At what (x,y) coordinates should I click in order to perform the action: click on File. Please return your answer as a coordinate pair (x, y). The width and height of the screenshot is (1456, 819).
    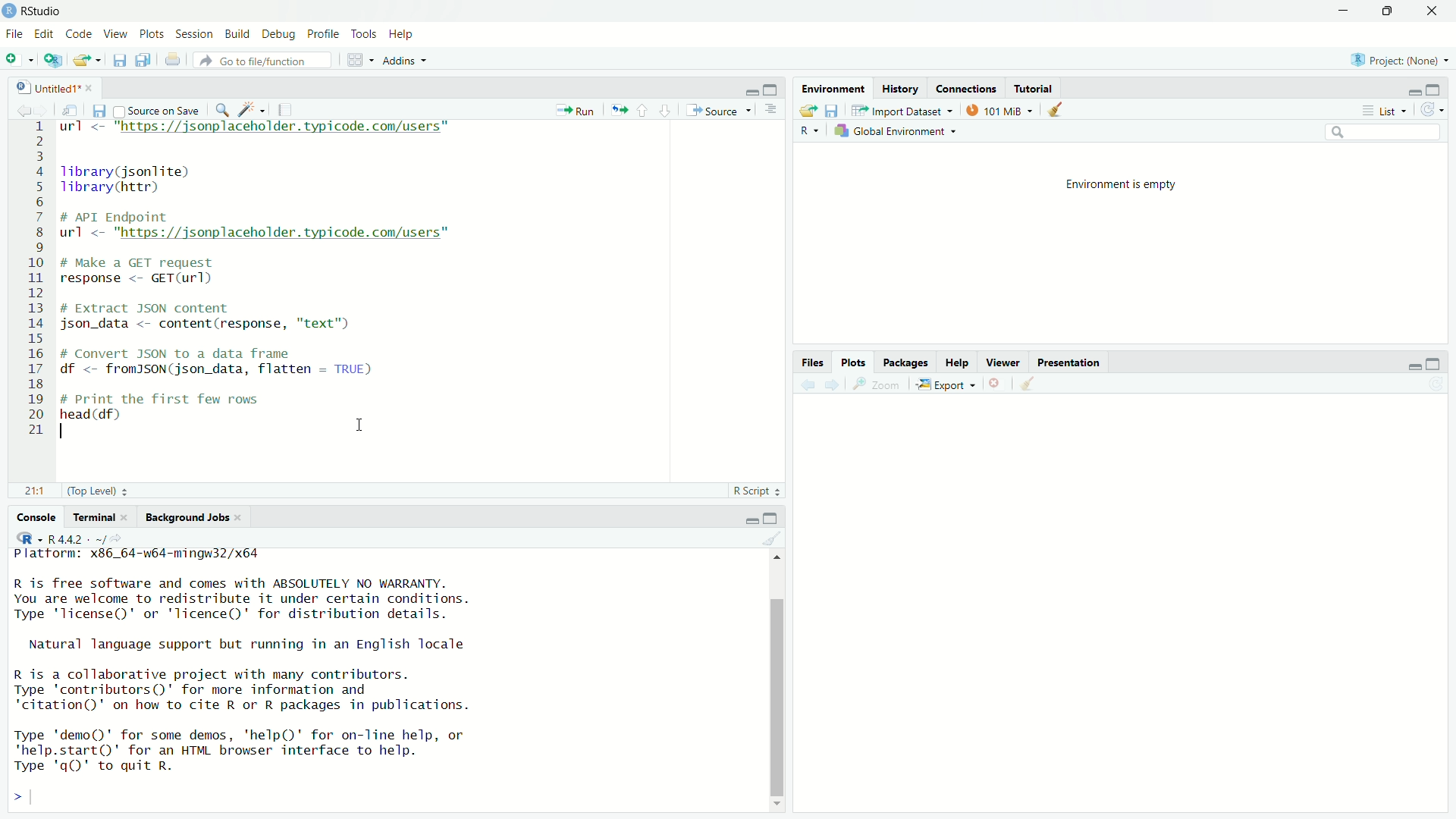
    Looking at the image, I should click on (15, 33).